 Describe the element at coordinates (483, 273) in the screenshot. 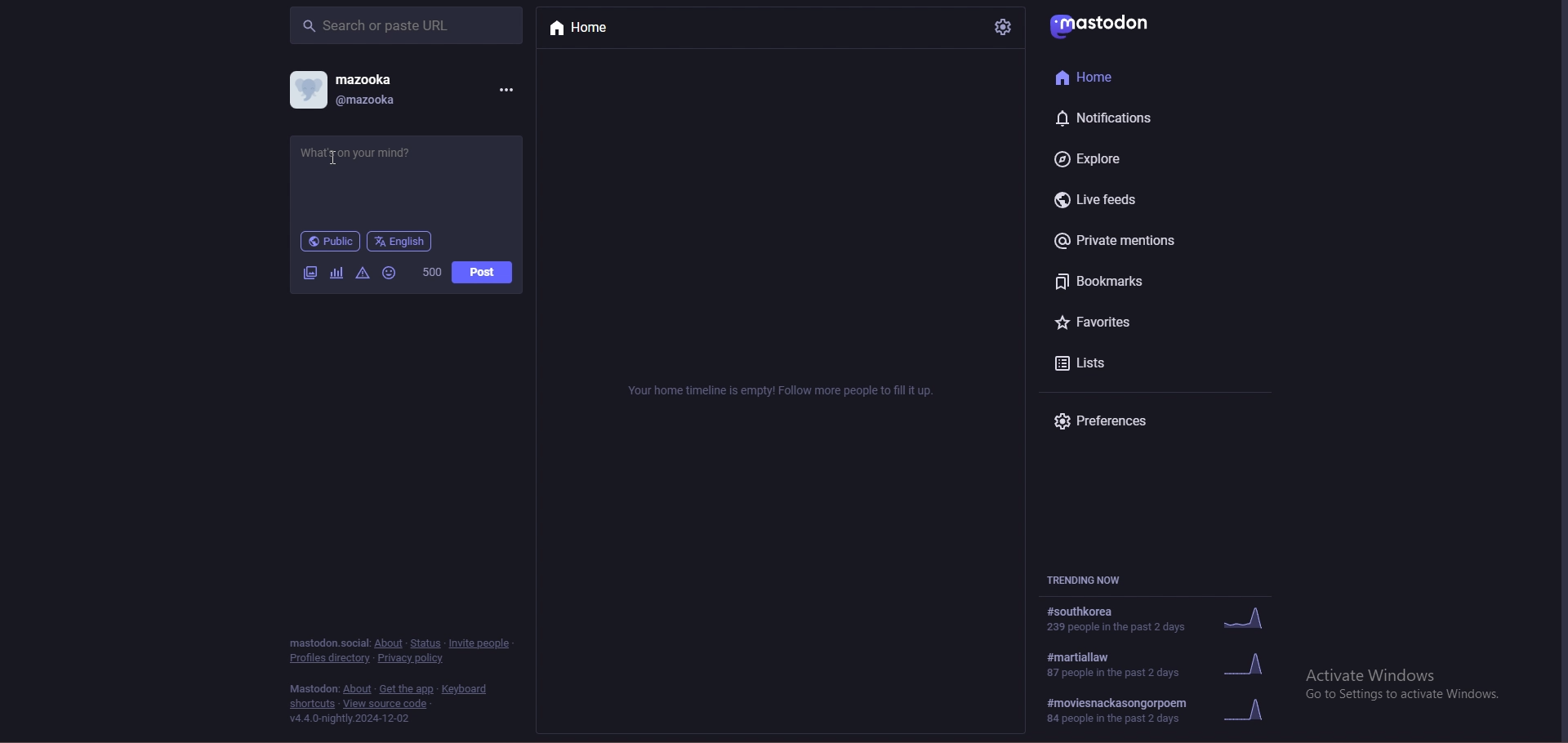

I see `post` at that location.